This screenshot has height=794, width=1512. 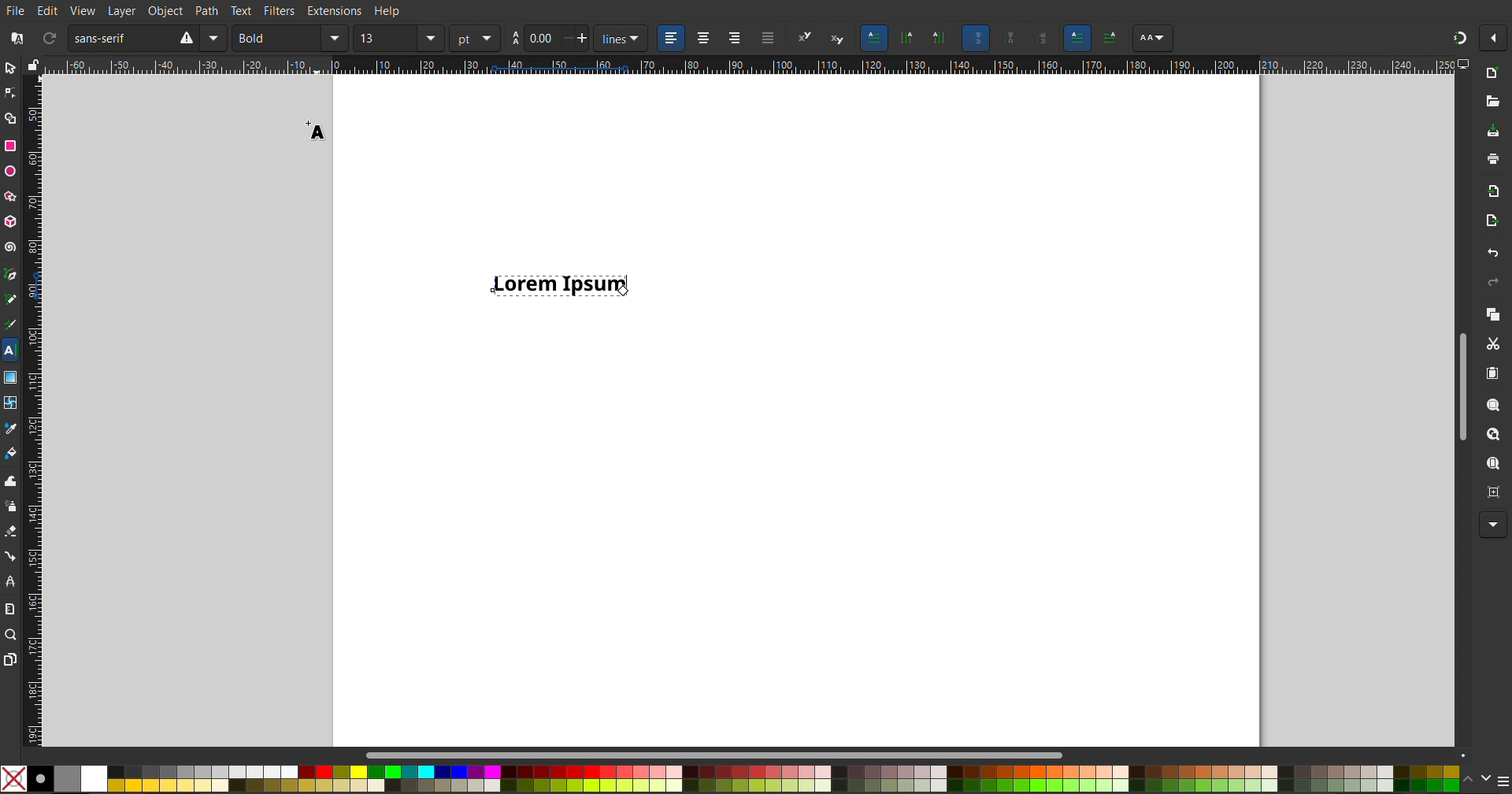 I want to click on Vertical text right to left, so click(x=906, y=39).